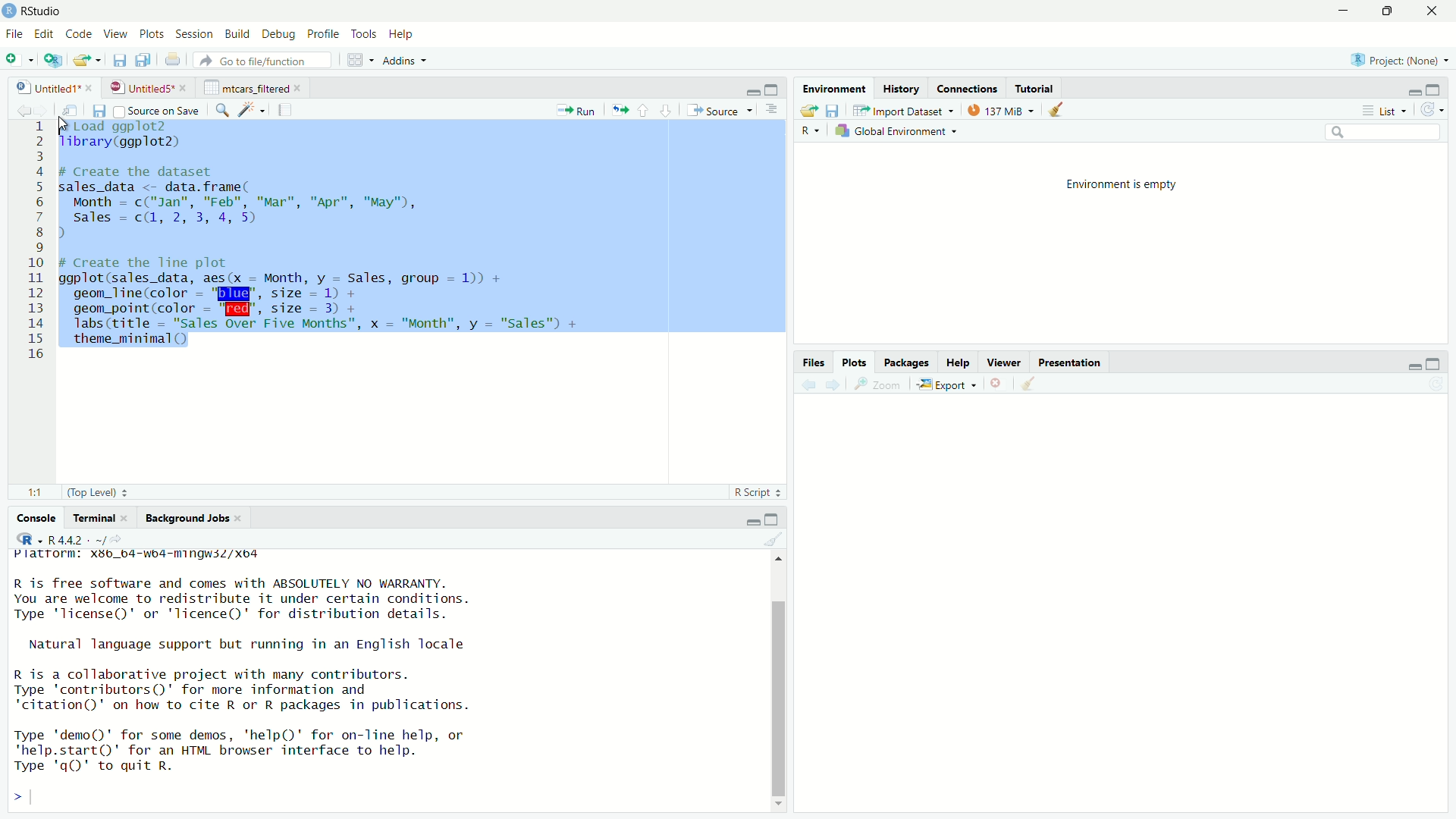  What do you see at coordinates (101, 111) in the screenshot?
I see `save` at bounding box center [101, 111].